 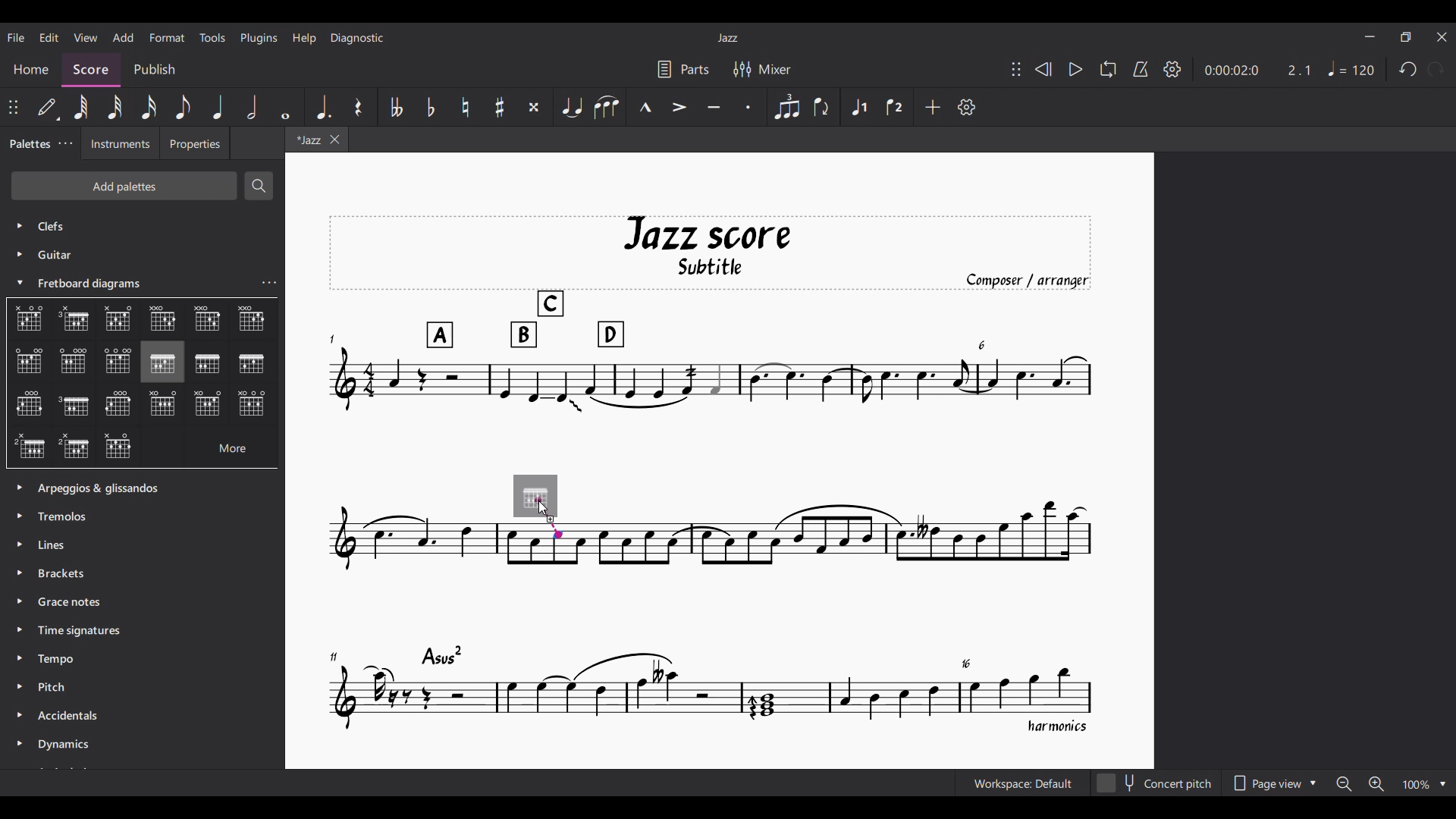 What do you see at coordinates (78, 321) in the screenshot?
I see `Chart 2` at bounding box center [78, 321].